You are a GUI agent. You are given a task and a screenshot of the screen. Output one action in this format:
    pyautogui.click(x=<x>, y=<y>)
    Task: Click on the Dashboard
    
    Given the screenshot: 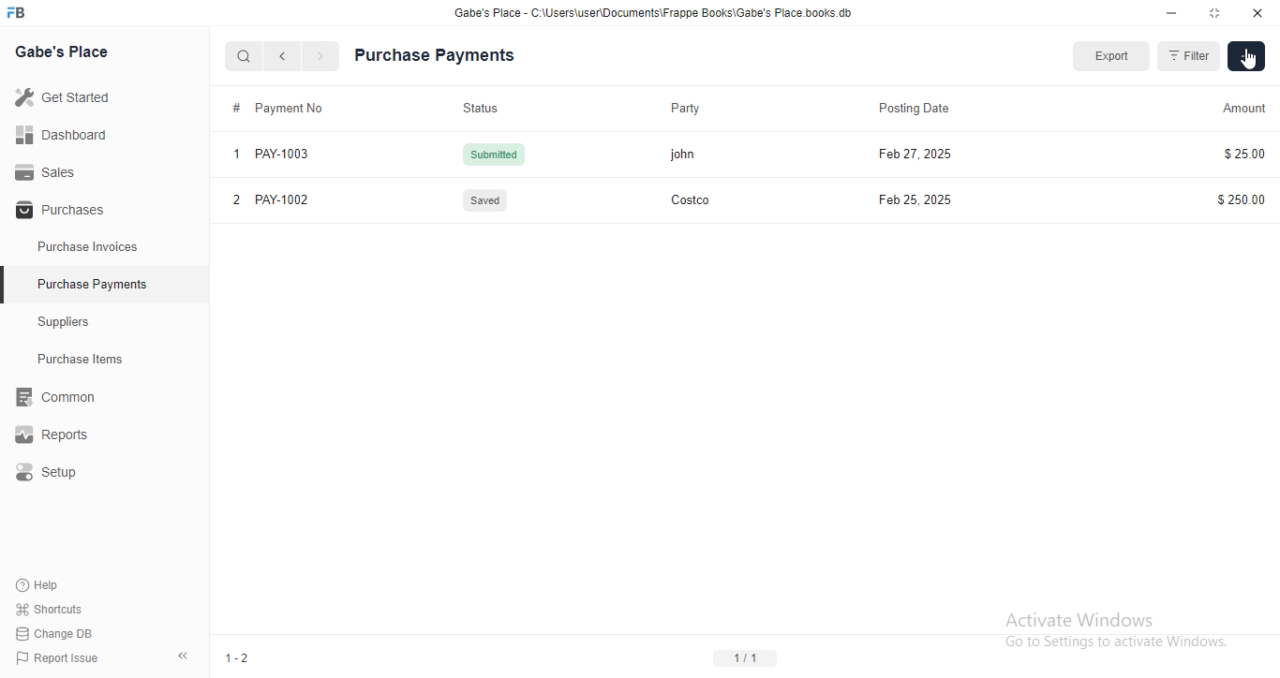 What is the action you would take?
    pyautogui.click(x=61, y=135)
    